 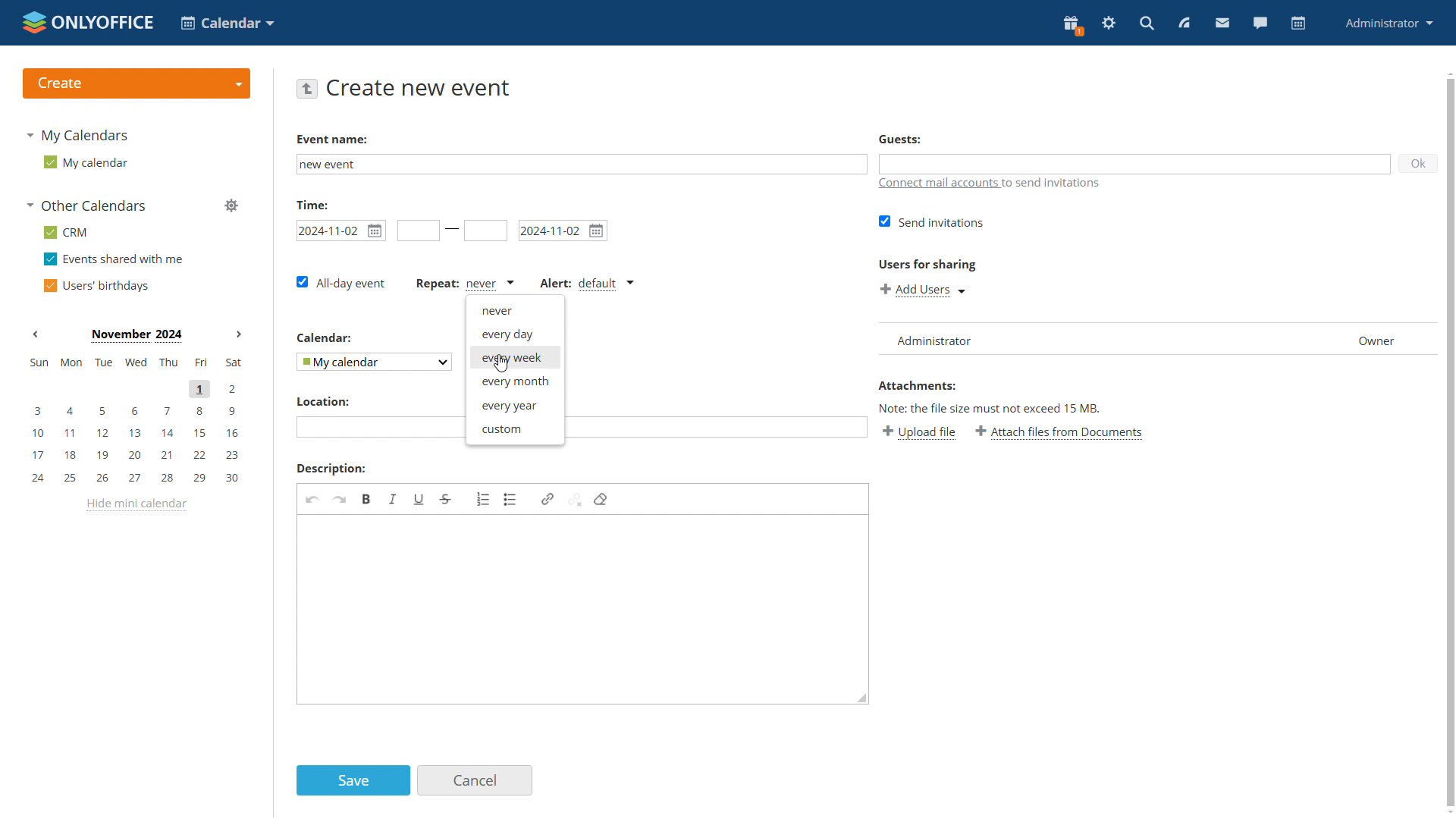 What do you see at coordinates (576, 500) in the screenshot?
I see `unlink` at bounding box center [576, 500].